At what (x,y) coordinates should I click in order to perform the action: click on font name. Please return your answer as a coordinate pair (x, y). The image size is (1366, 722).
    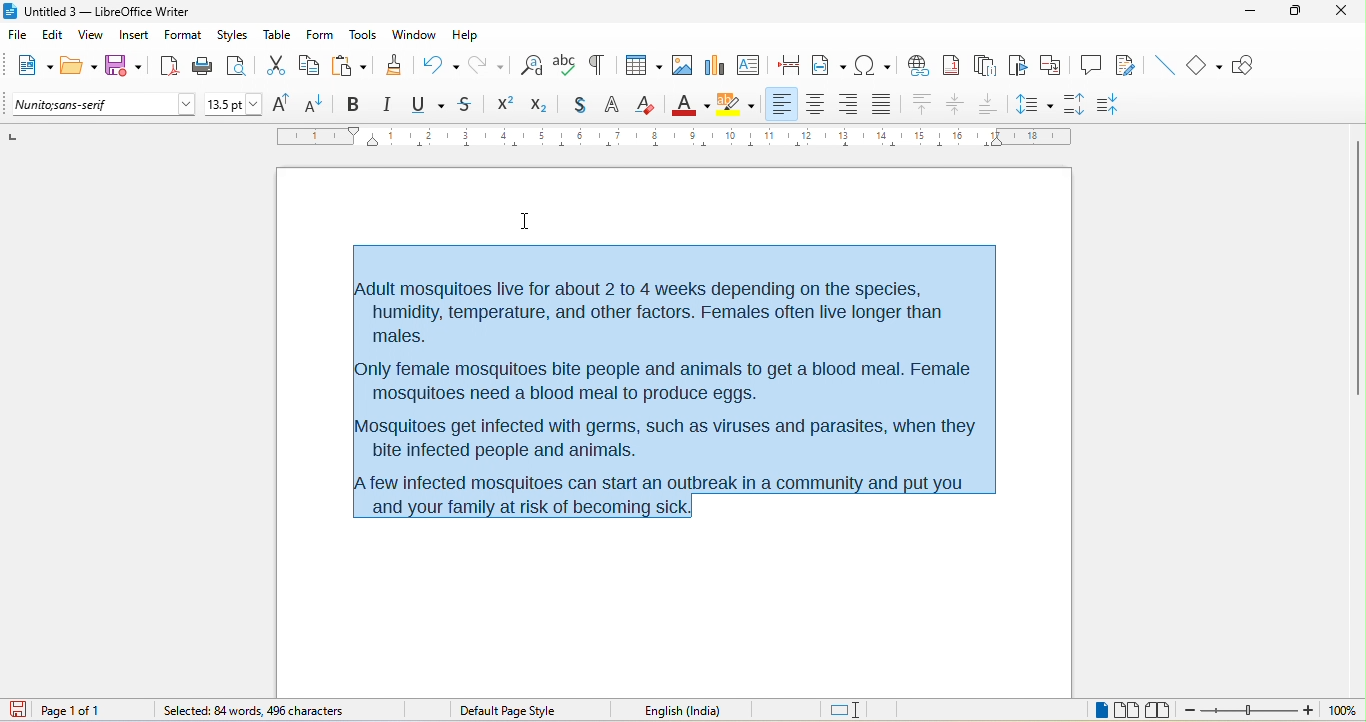
    Looking at the image, I should click on (105, 105).